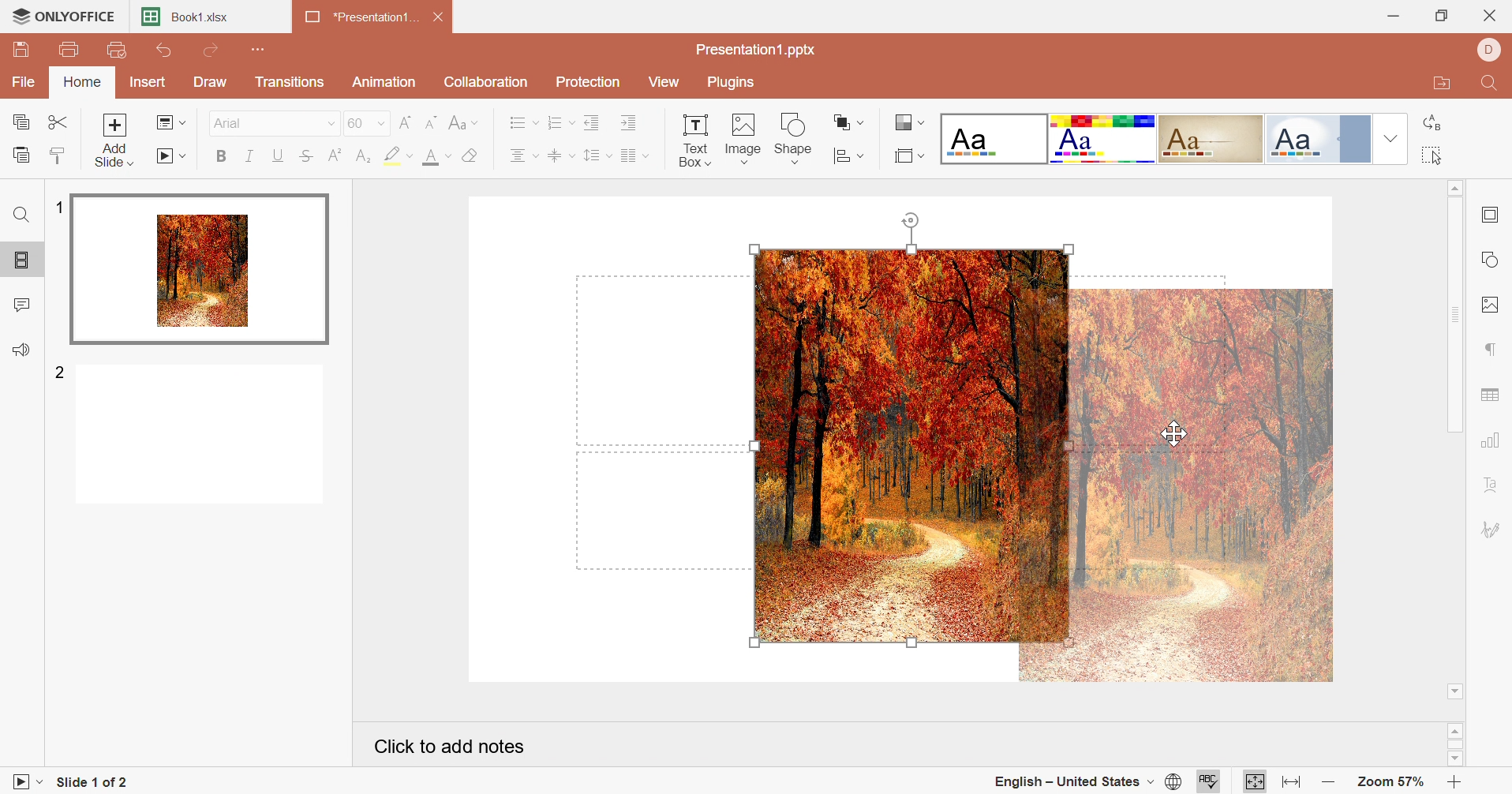 The width and height of the screenshot is (1512, 794). I want to click on Highlight color, so click(395, 155).